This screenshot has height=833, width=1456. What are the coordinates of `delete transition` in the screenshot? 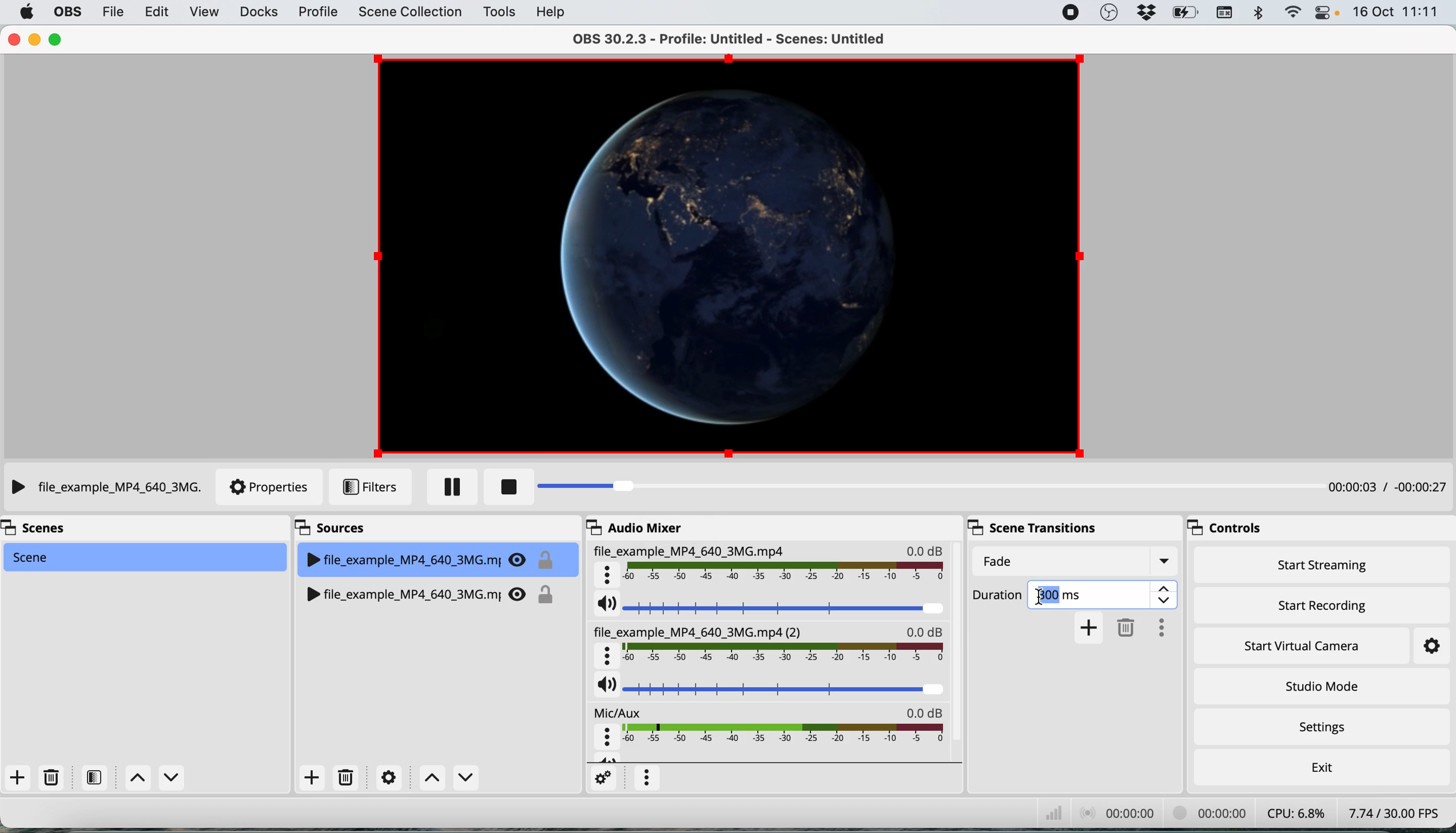 It's located at (1125, 629).